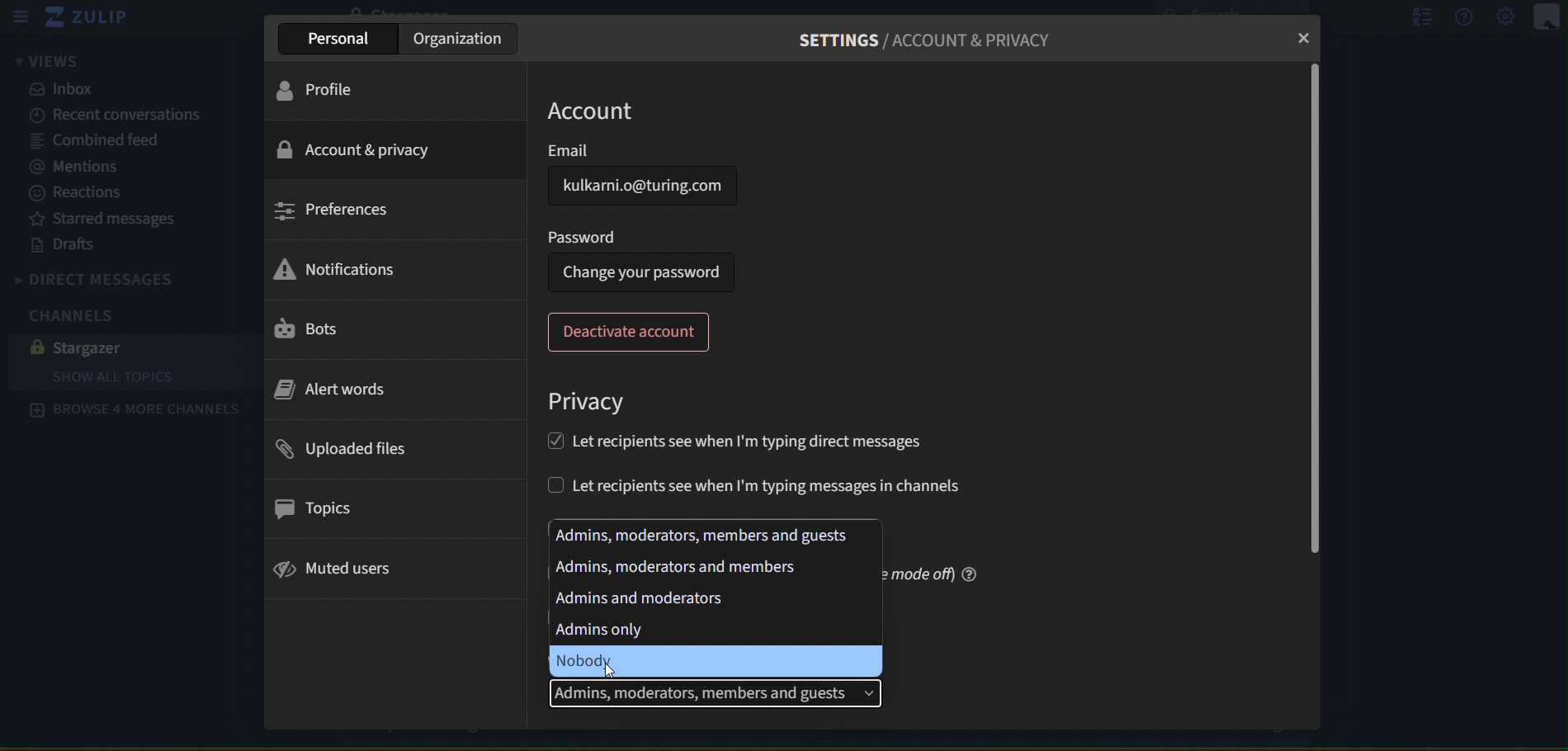 This screenshot has width=1568, height=751. What do you see at coordinates (606, 672) in the screenshot?
I see `cursor` at bounding box center [606, 672].